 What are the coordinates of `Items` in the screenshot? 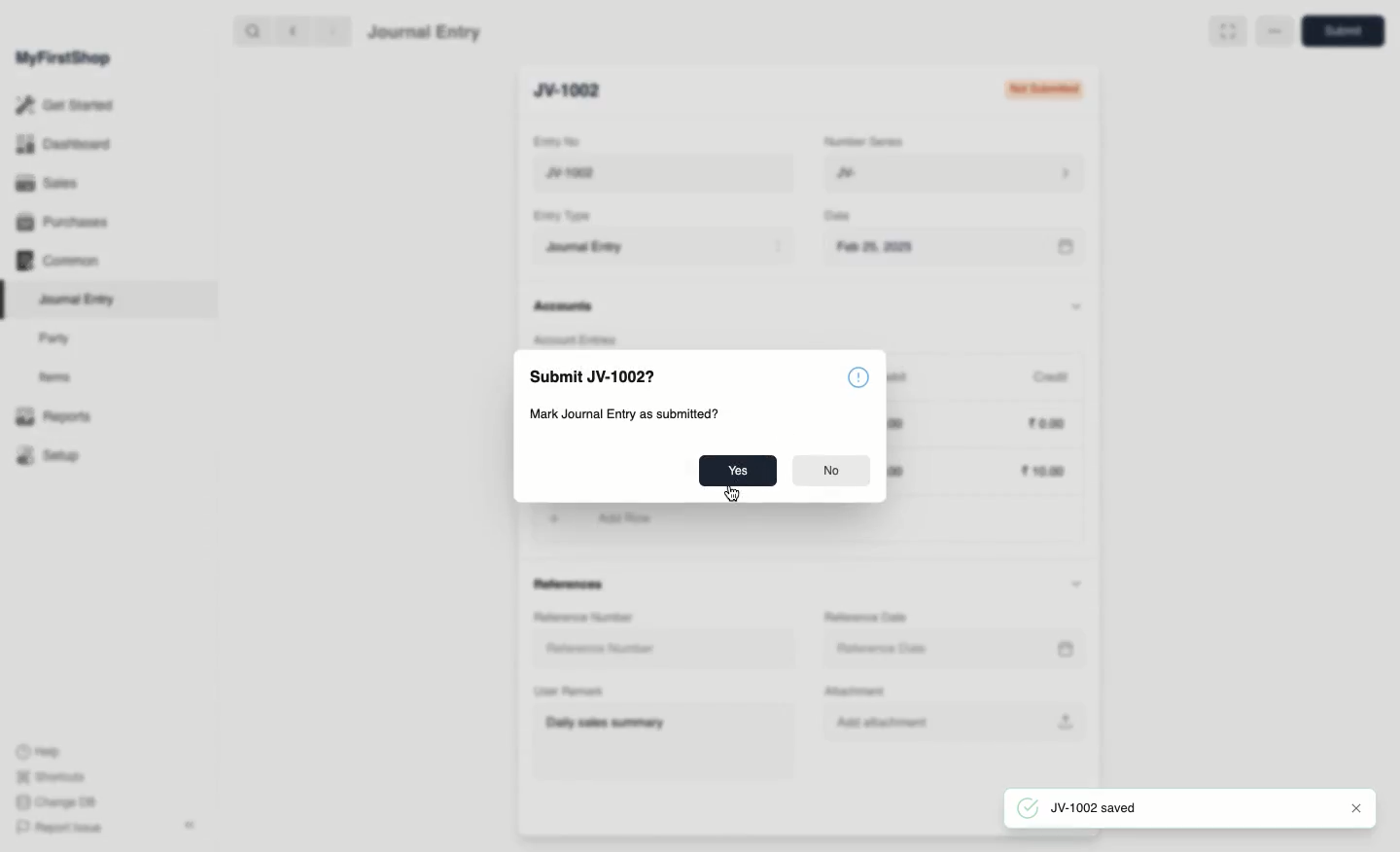 It's located at (60, 377).